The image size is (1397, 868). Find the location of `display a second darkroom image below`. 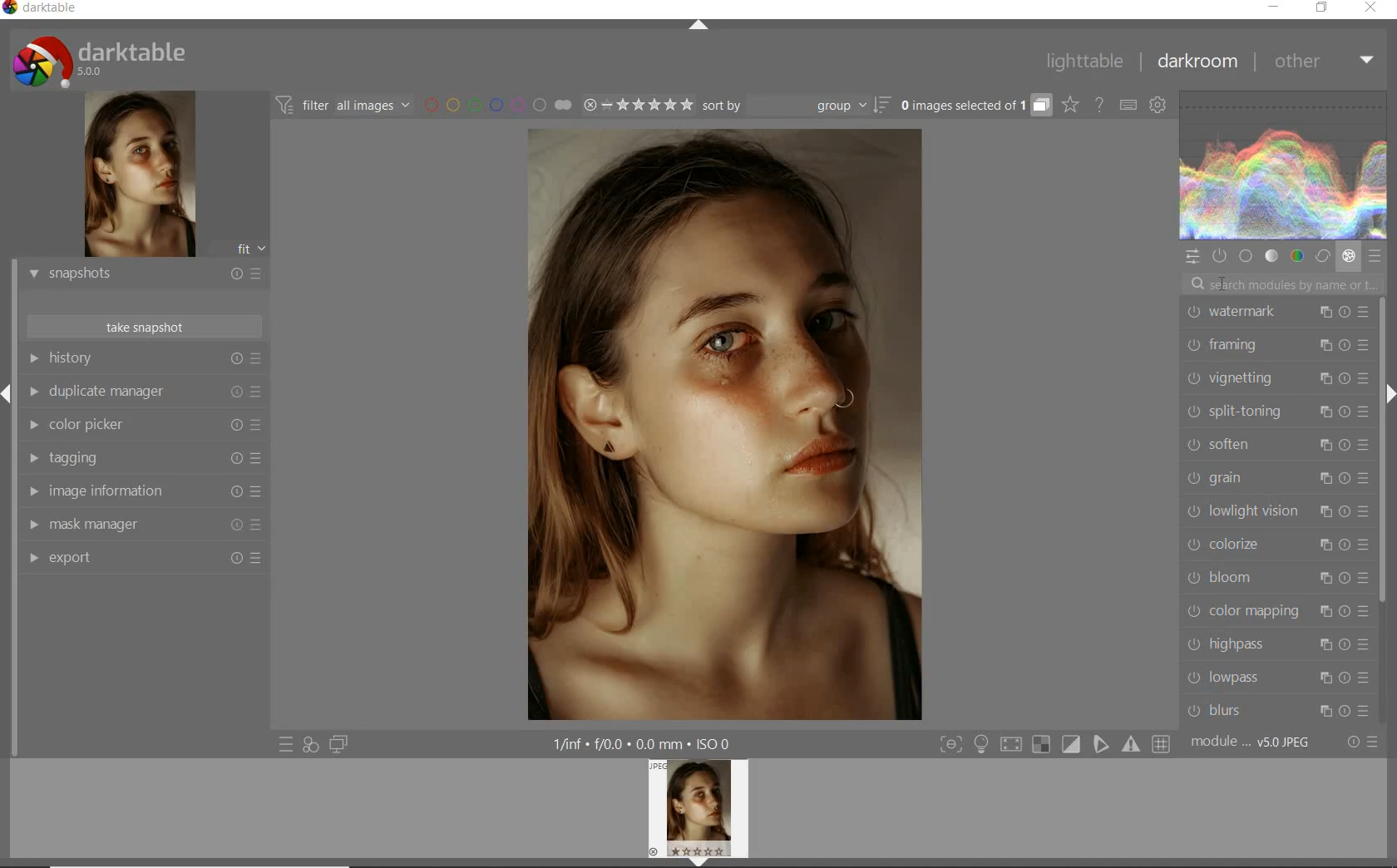

display a second darkroom image below is located at coordinates (335, 742).